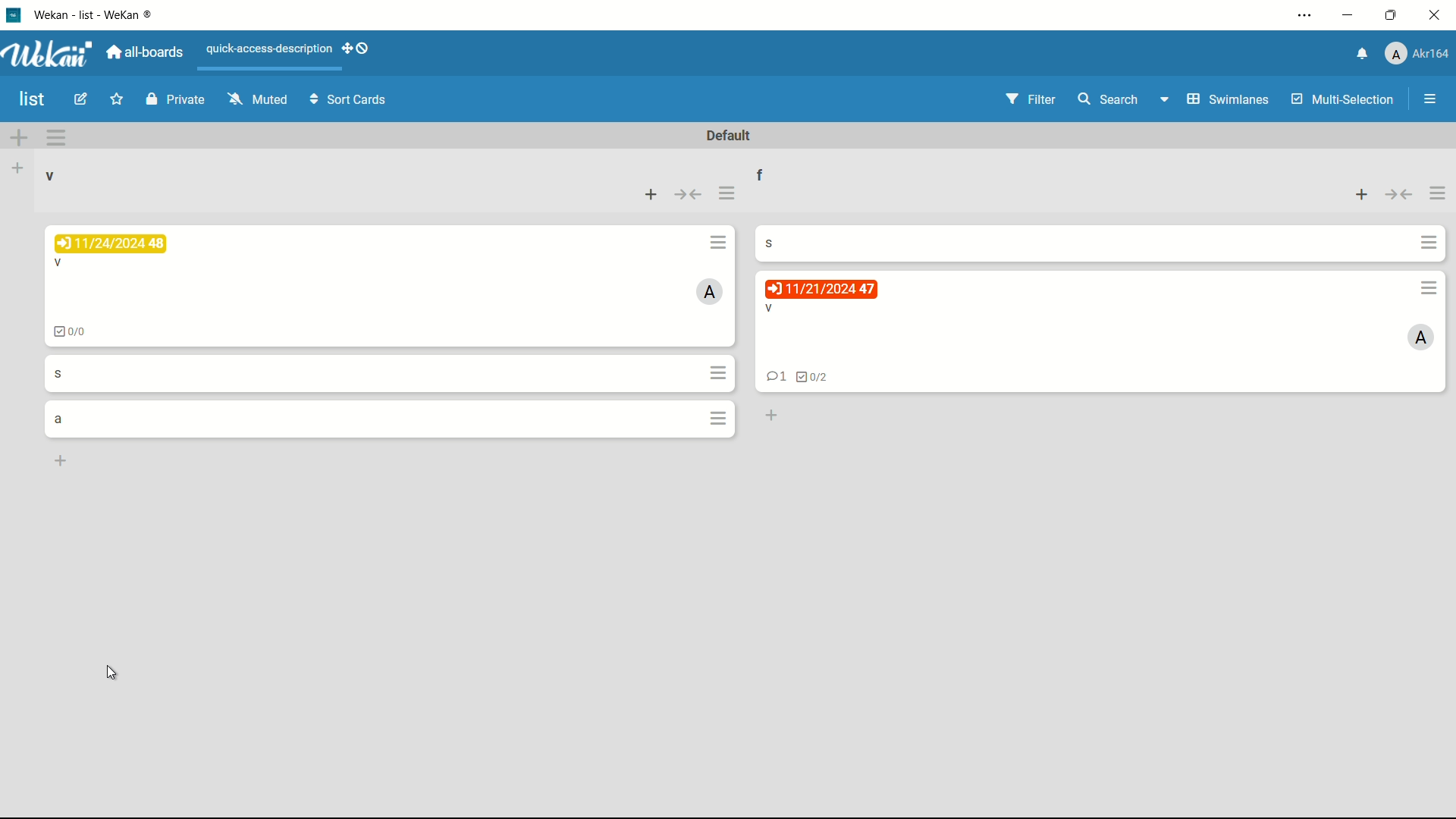 Image resolution: width=1456 pixels, height=819 pixels. I want to click on minimize, so click(1351, 15).